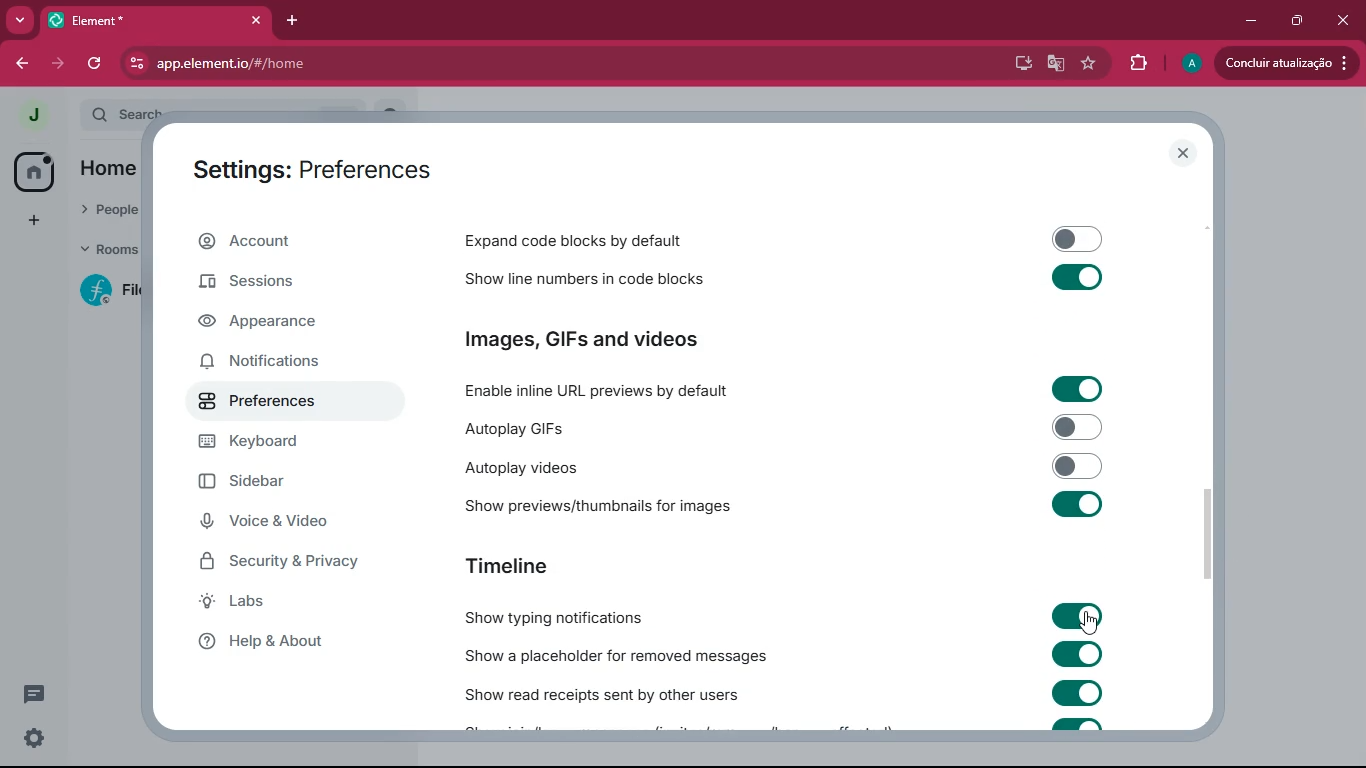 The width and height of the screenshot is (1366, 768). What do you see at coordinates (276, 483) in the screenshot?
I see `sidebar` at bounding box center [276, 483].